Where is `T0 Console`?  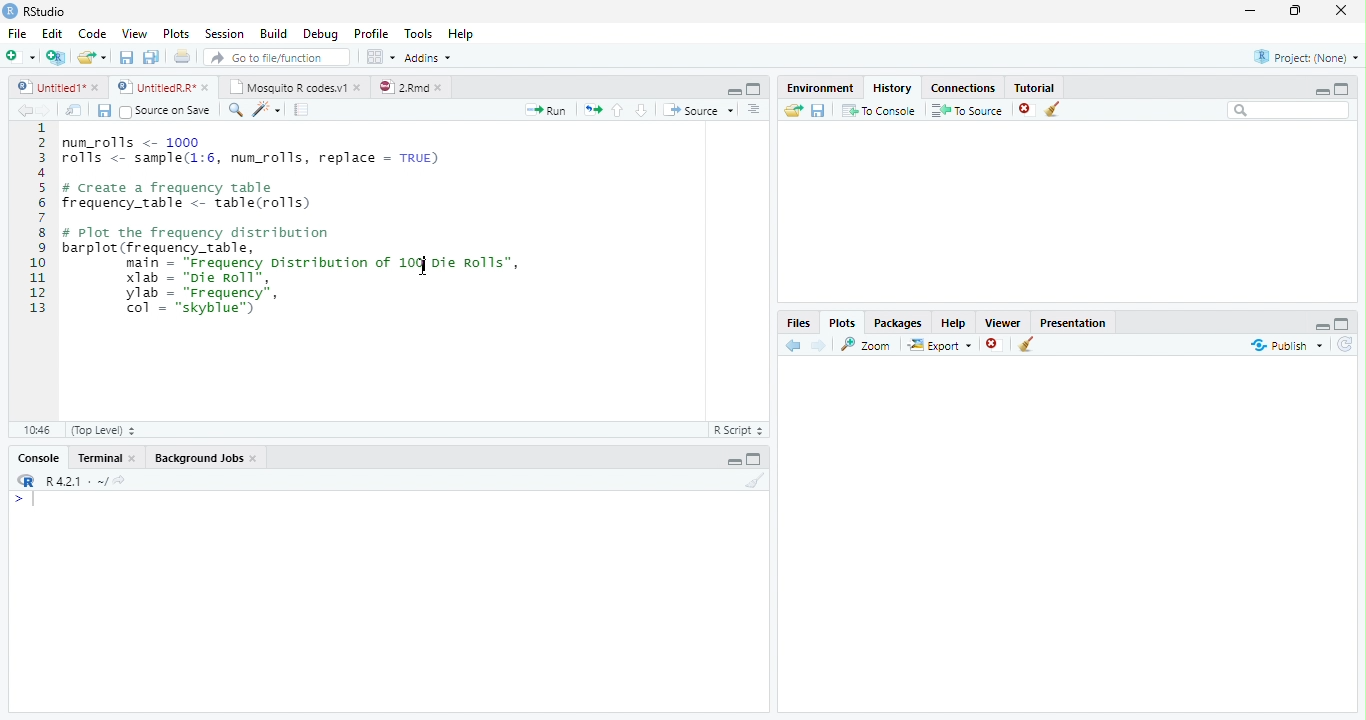 T0 Console is located at coordinates (878, 109).